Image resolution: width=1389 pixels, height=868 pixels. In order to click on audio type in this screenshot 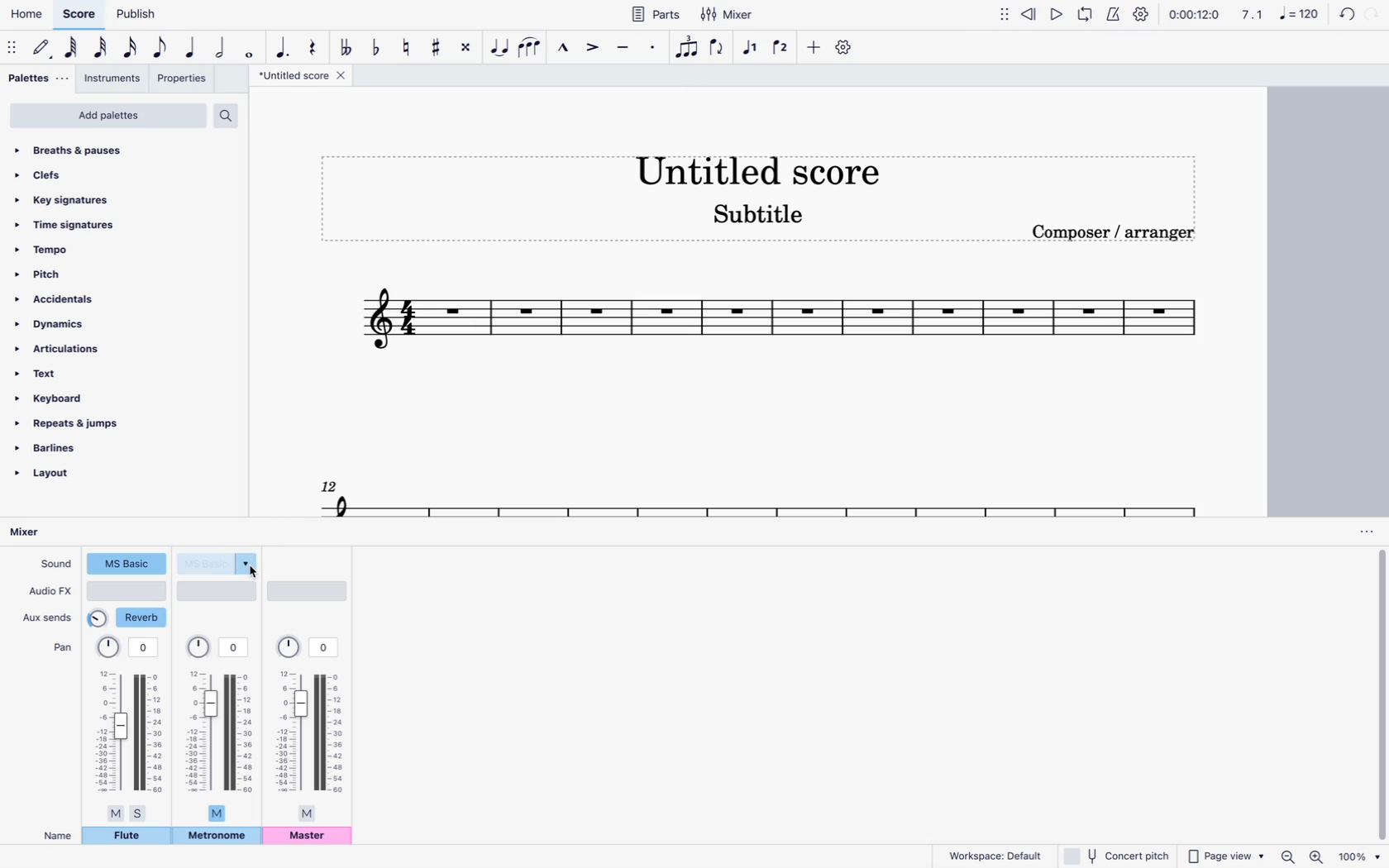, I will do `click(219, 591)`.